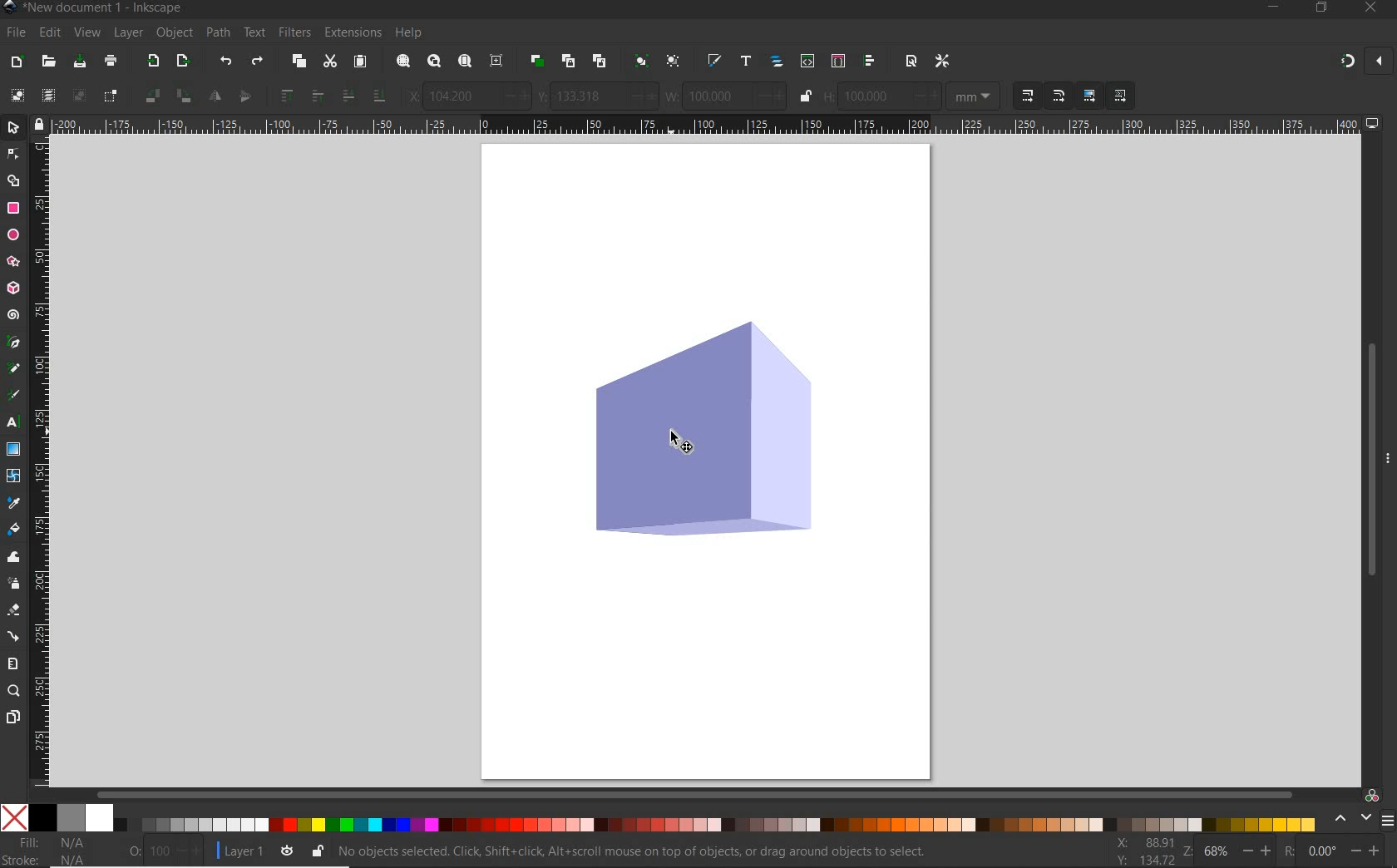 This screenshot has height=868, width=1397. Describe the element at coordinates (1350, 819) in the screenshot. I see `scroll color options` at that location.